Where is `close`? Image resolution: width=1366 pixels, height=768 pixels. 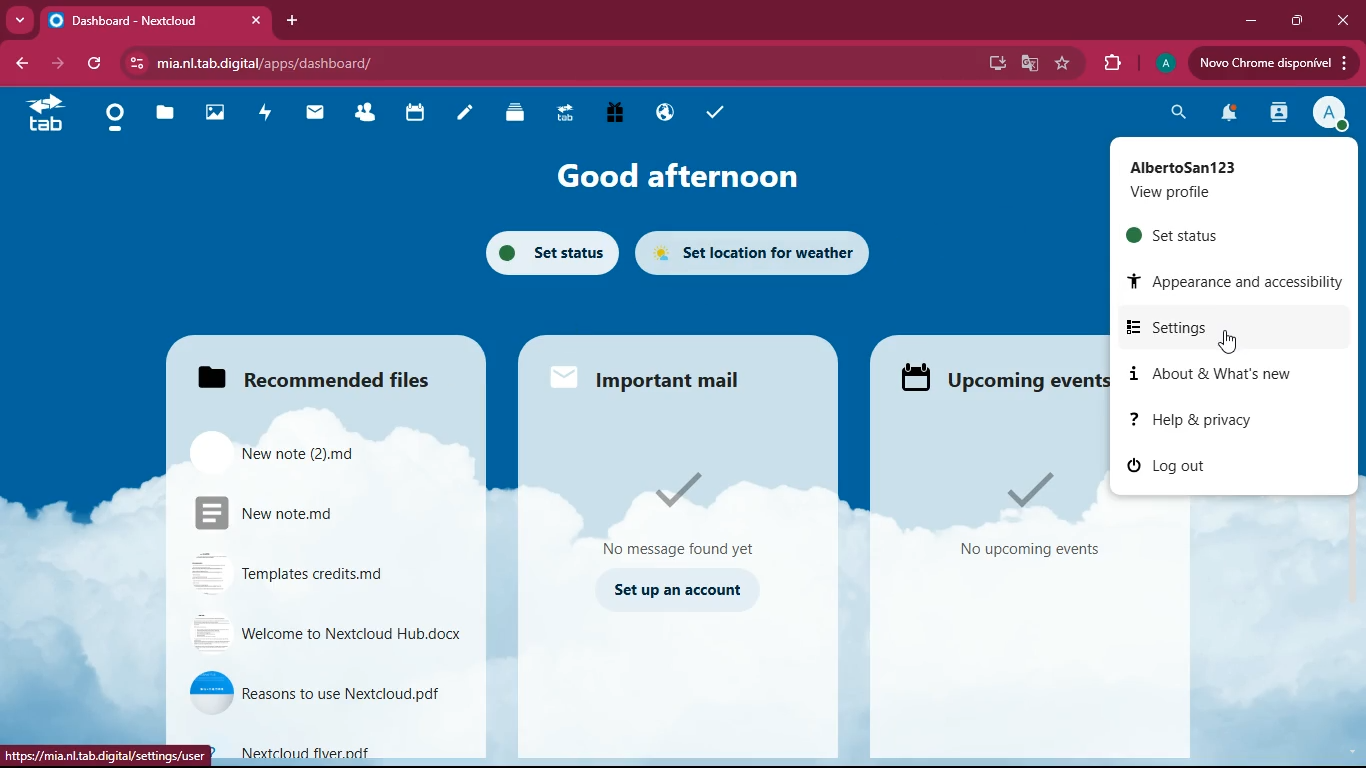 close is located at coordinates (1343, 19).